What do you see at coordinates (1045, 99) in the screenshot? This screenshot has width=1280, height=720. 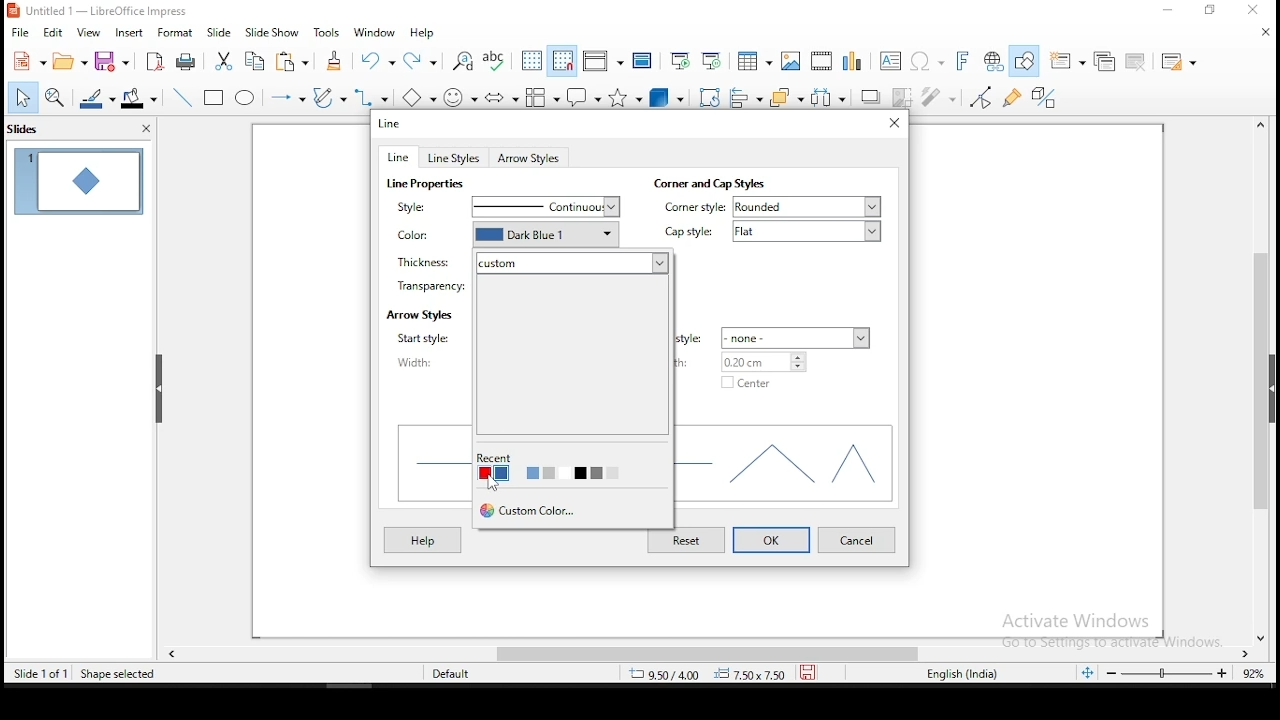 I see `toggle extrusion` at bounding box center [1045, 99].